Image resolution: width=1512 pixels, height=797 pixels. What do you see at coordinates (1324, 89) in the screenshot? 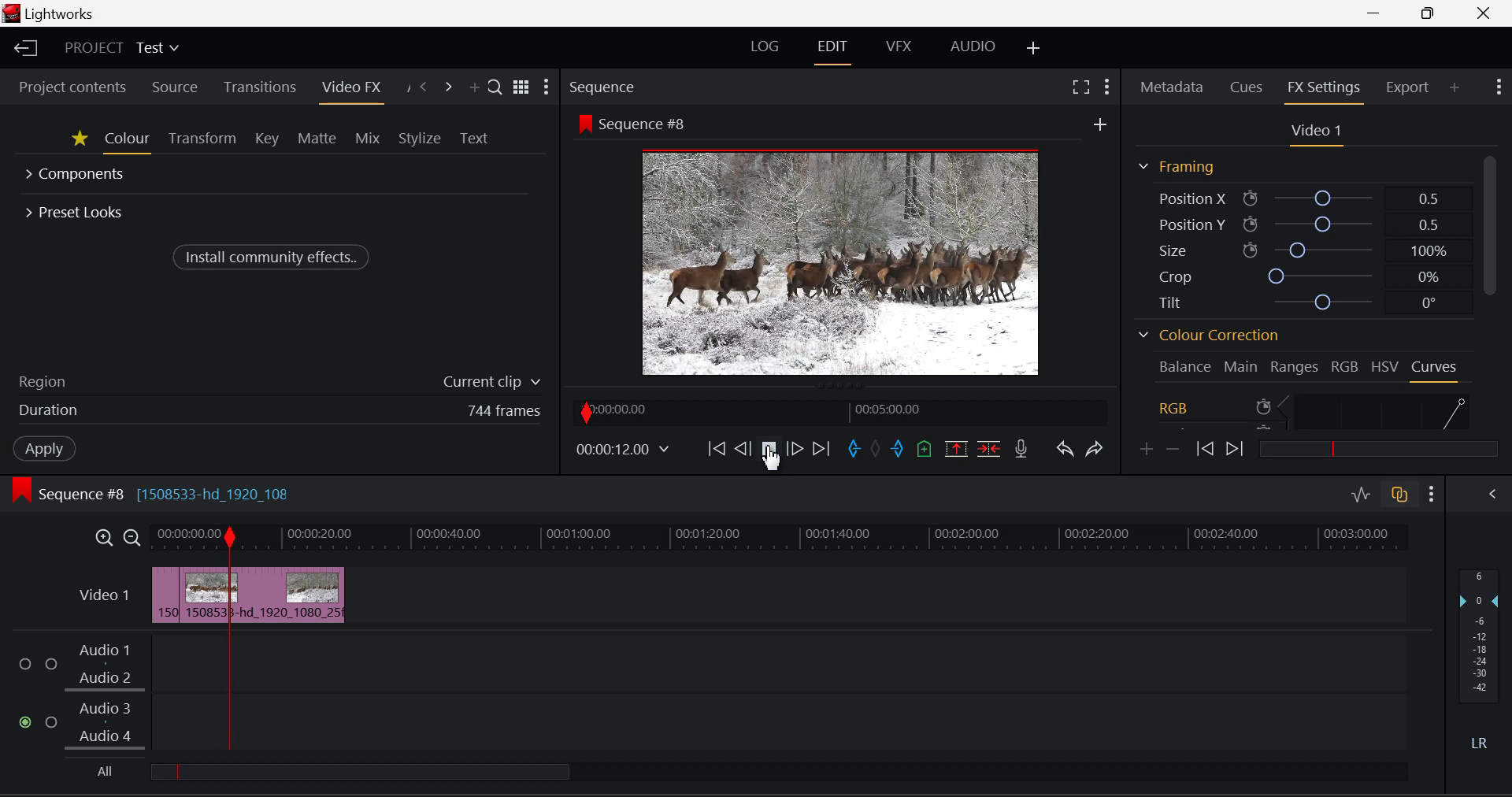
I see `FX Settings Open` at bounding box center [1324, 89].